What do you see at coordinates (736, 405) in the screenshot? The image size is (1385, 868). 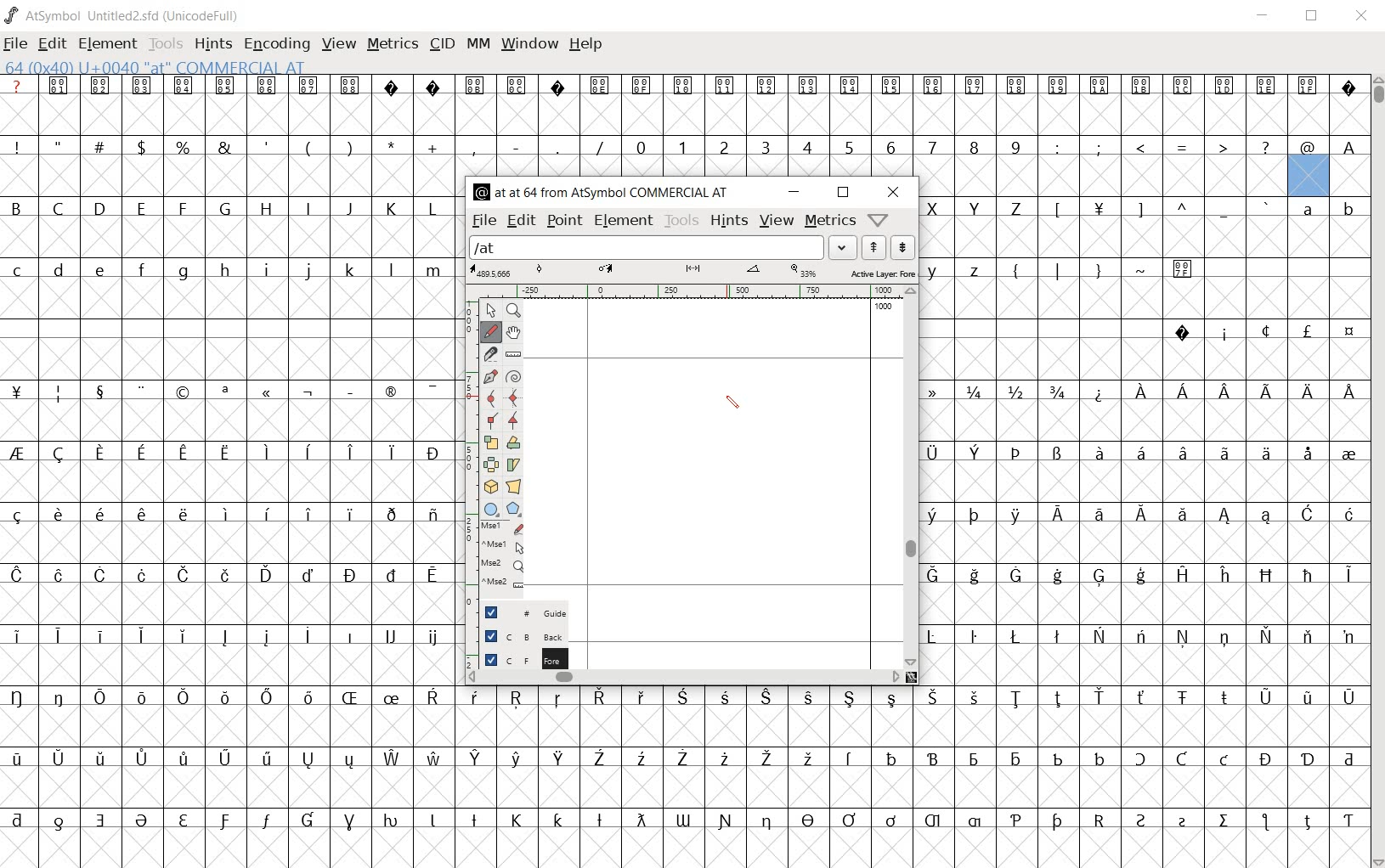 I see `pen tool` at bounding box center [736, 405].